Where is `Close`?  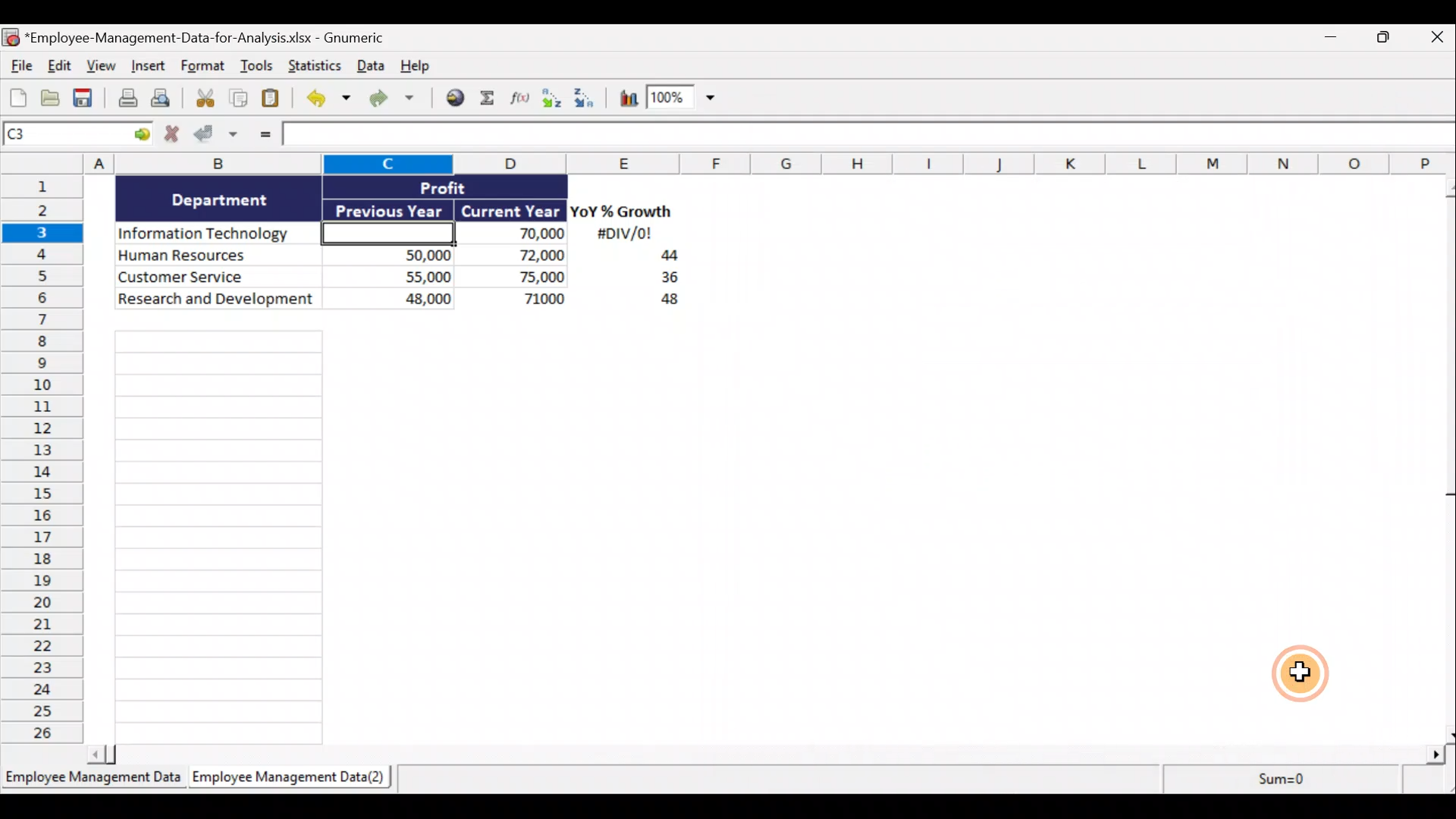
Close is located at coordinates (1434, 40).